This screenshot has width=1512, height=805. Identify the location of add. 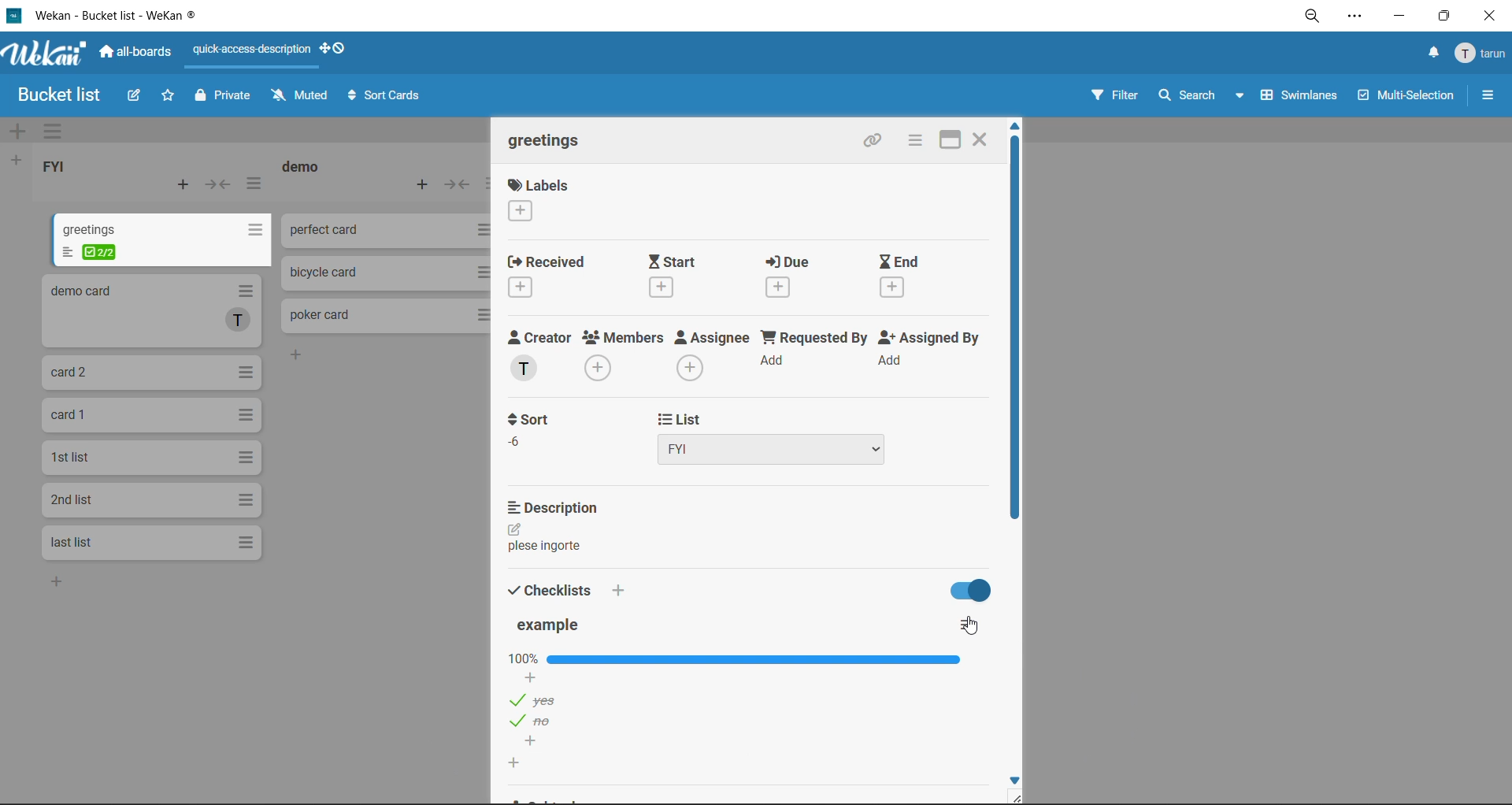
(60, 583).